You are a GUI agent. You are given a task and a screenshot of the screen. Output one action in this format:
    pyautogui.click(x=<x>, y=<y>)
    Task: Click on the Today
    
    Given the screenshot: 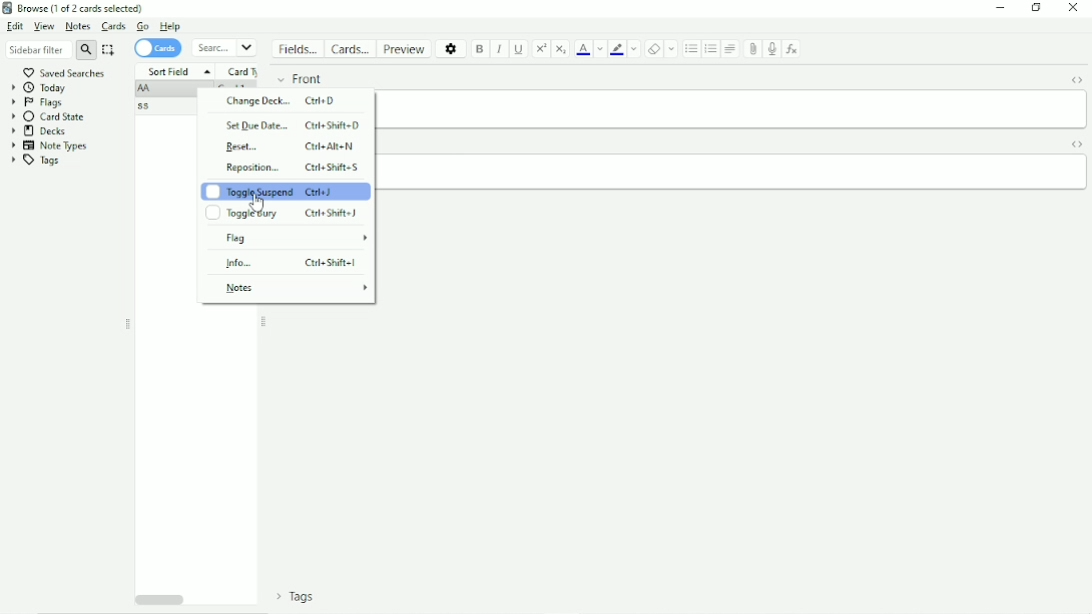 What is the action you would take?
    pyautogui.click(x=38, y=88)
    